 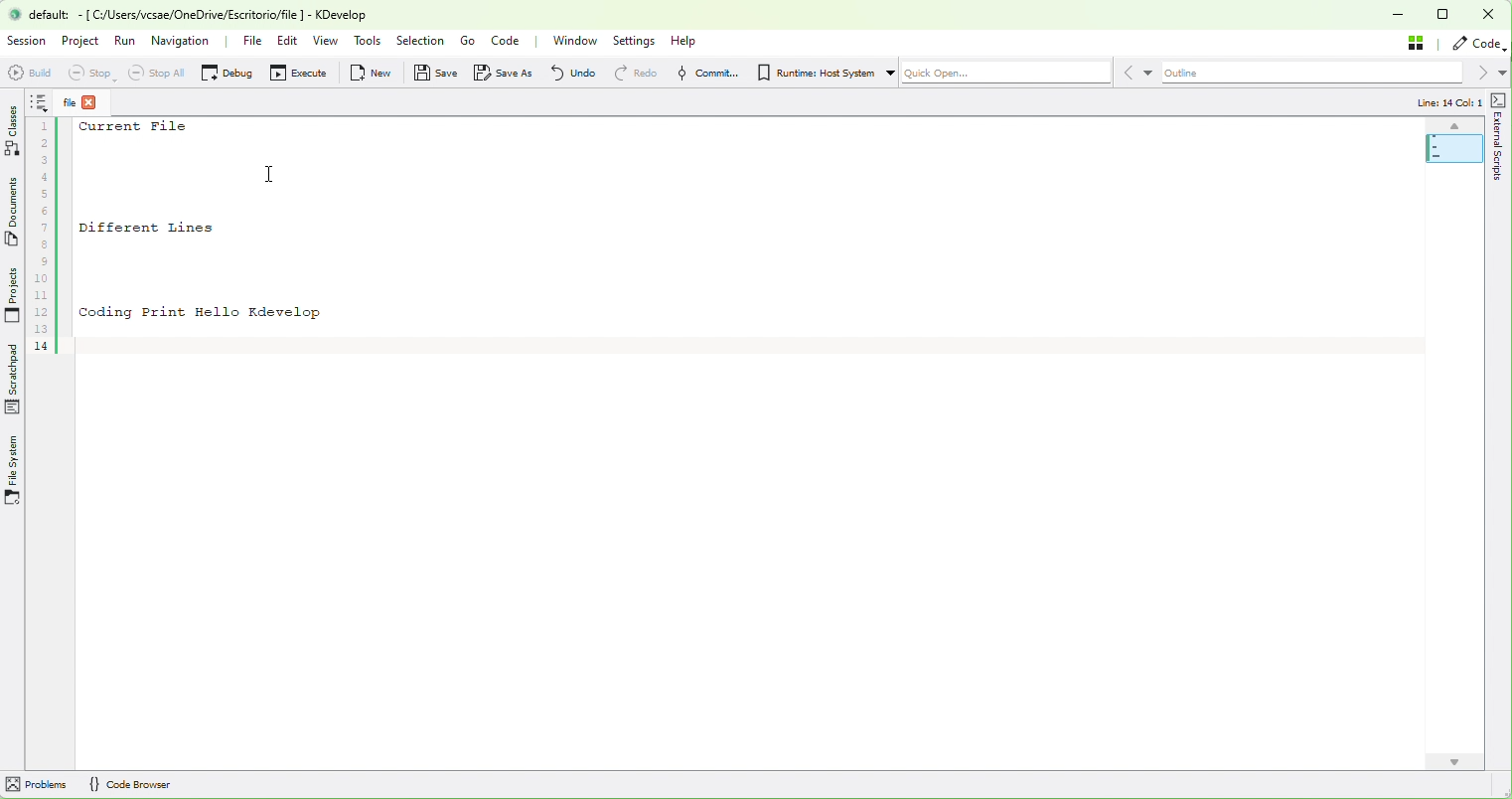 I want to click on Help, so click(x=686, y=41).